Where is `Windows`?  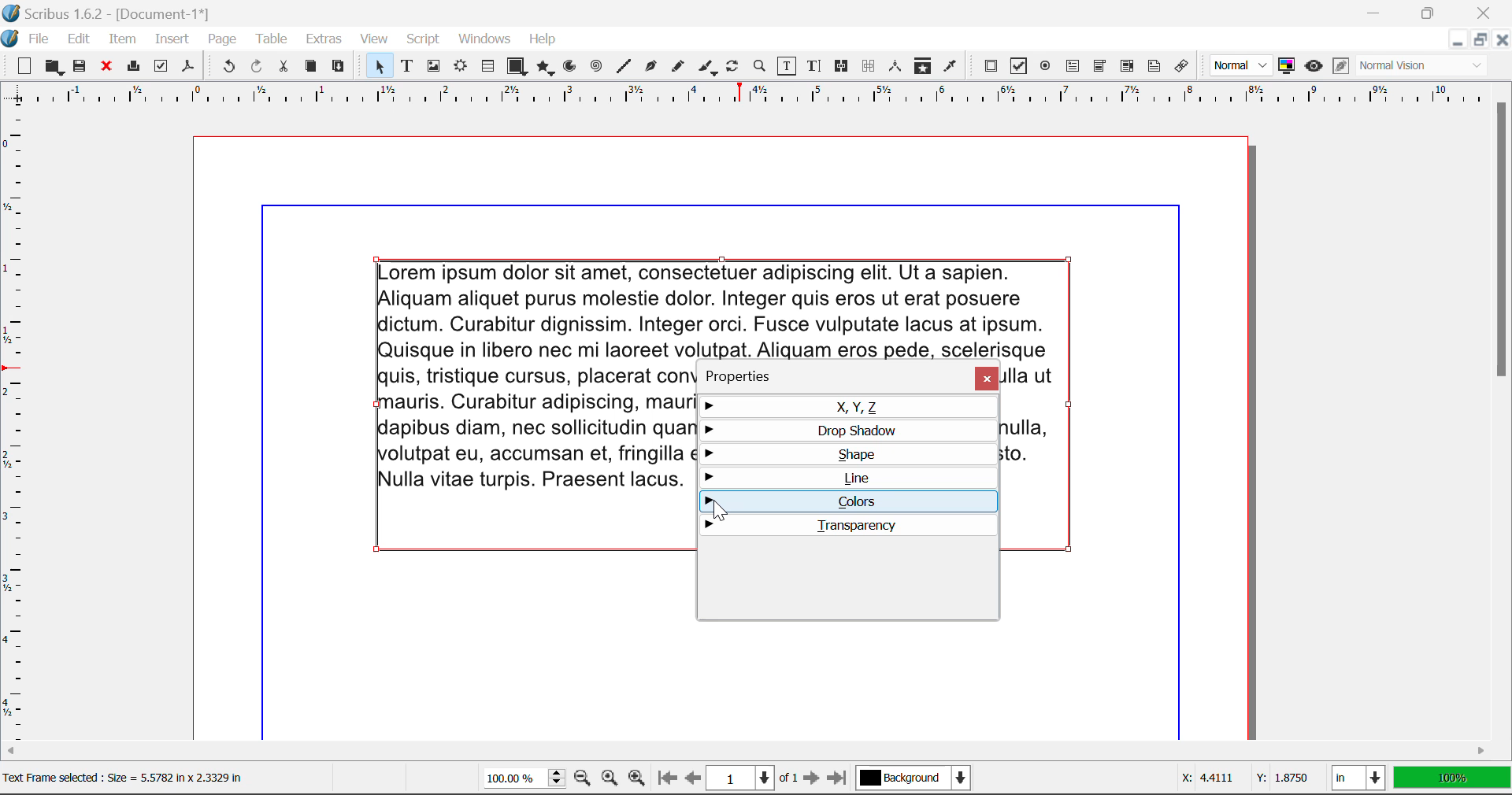
Windows is located at coordinates (483, 39).